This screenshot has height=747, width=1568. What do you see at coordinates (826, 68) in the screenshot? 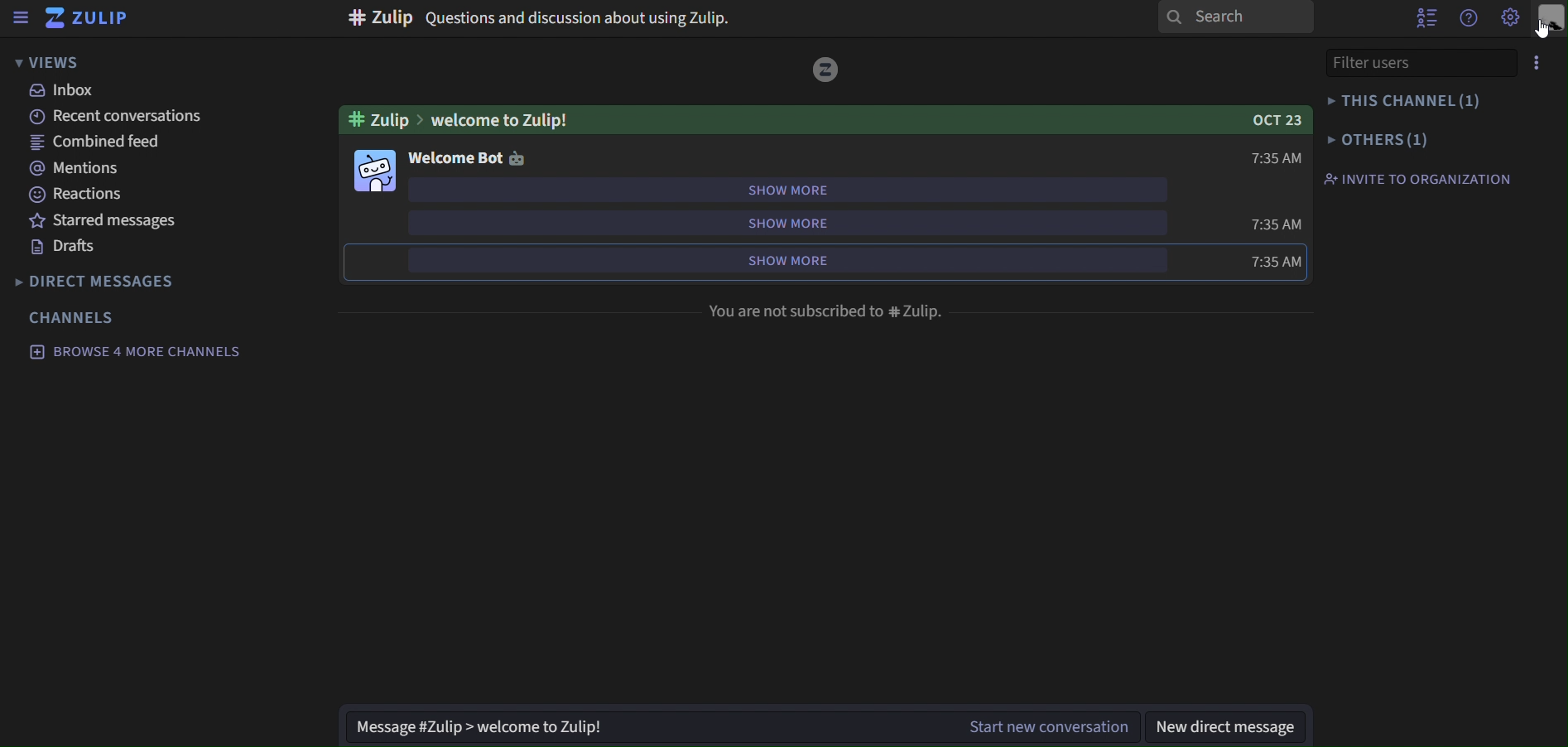
I see `image` at bounding box center [826, 68].